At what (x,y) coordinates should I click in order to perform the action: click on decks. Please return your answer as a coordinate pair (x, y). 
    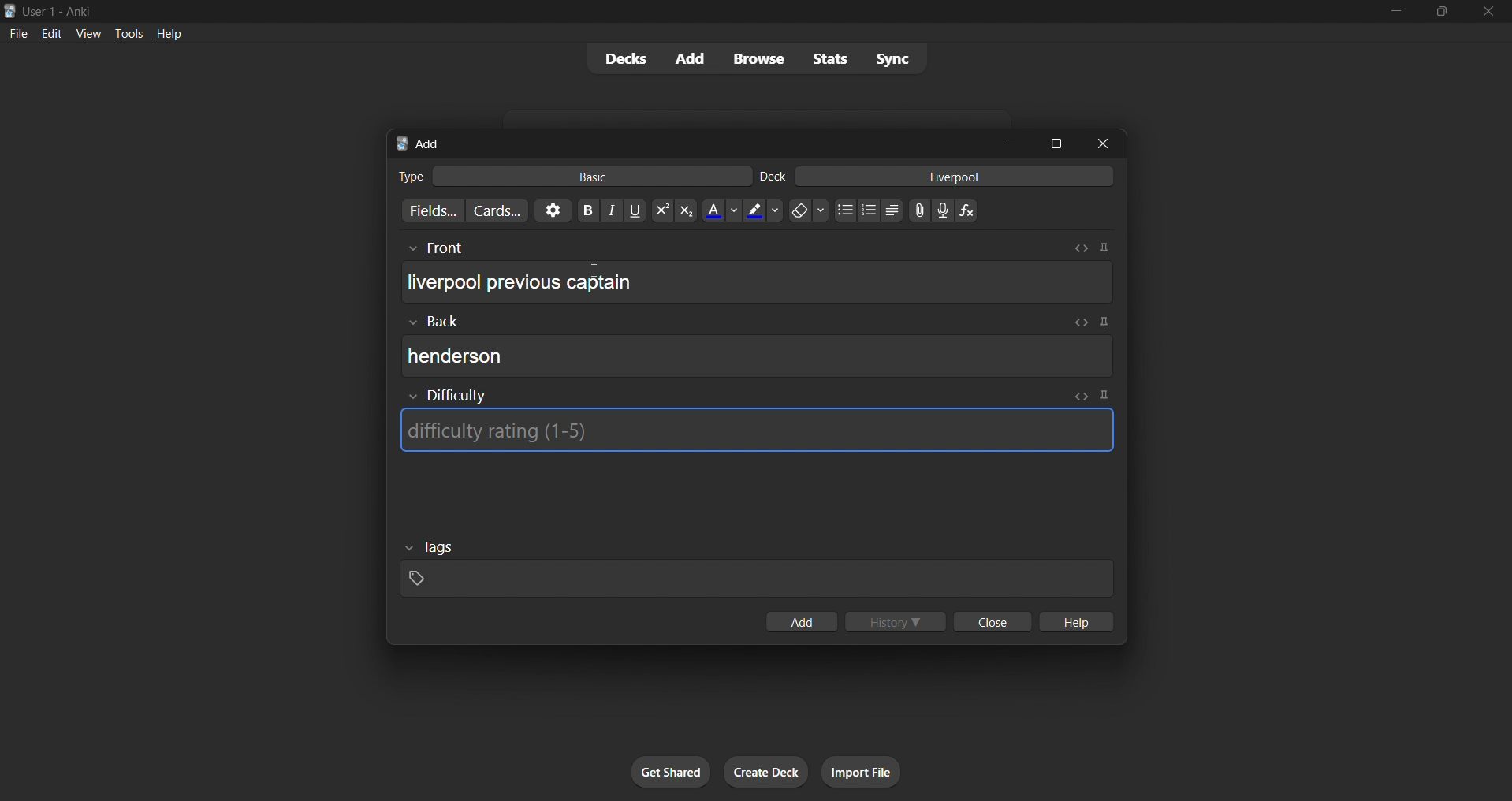
    Looking at the image, I should click on (619, 61).